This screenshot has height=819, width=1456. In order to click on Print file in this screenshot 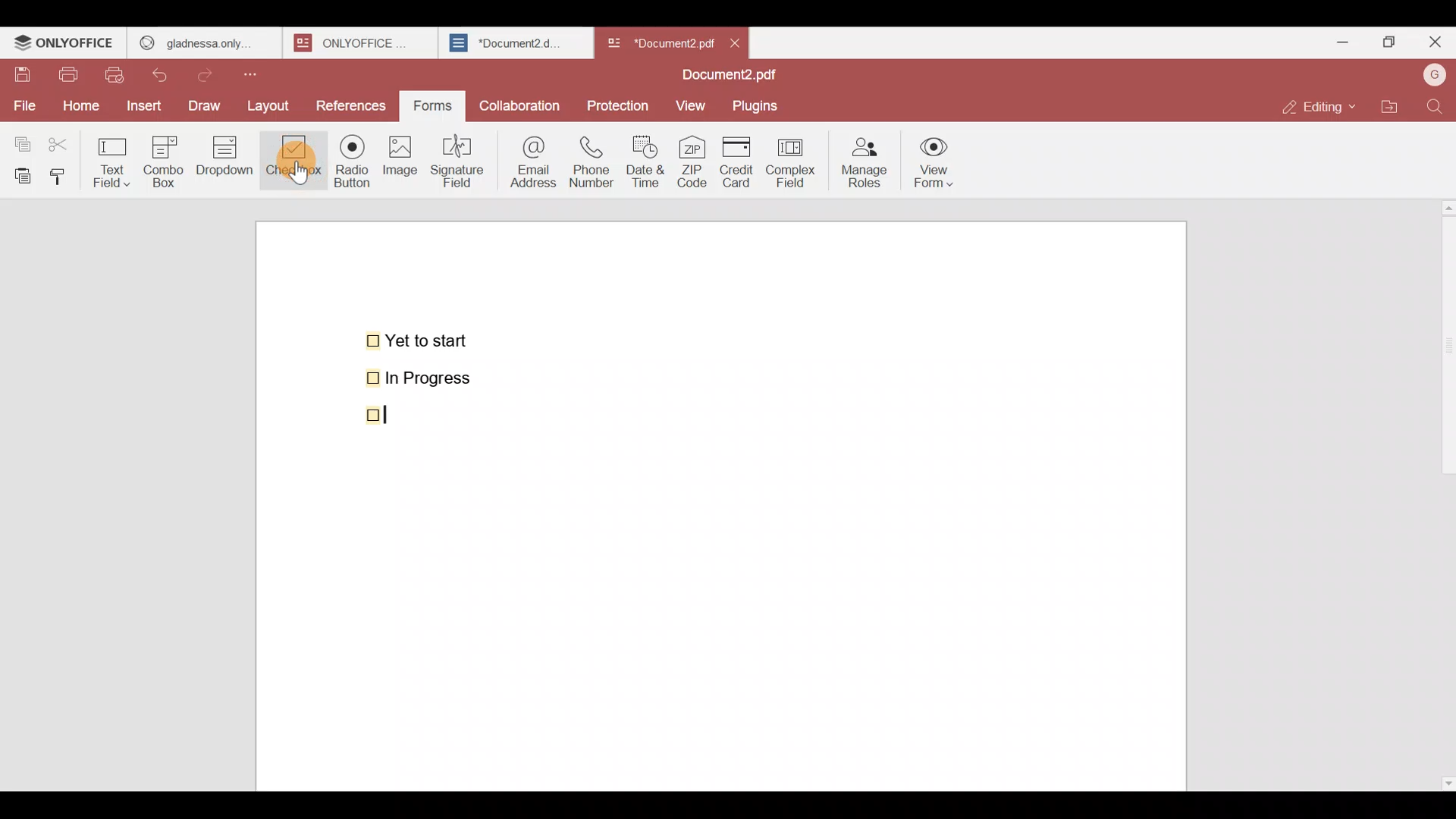, I will do `click(71, 76)`.